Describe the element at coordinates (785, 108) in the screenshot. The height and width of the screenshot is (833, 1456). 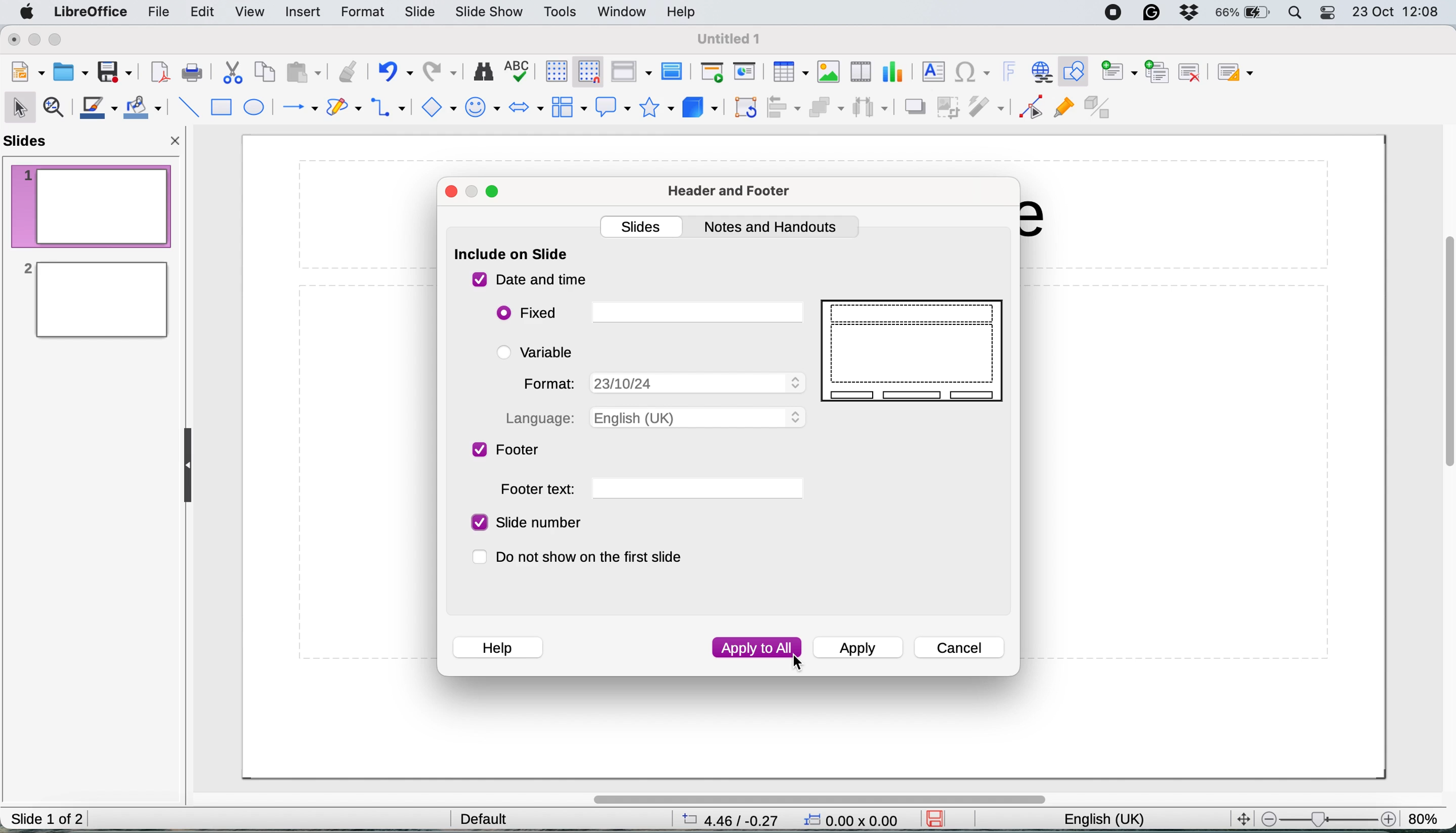
I see `align objects` at that location.